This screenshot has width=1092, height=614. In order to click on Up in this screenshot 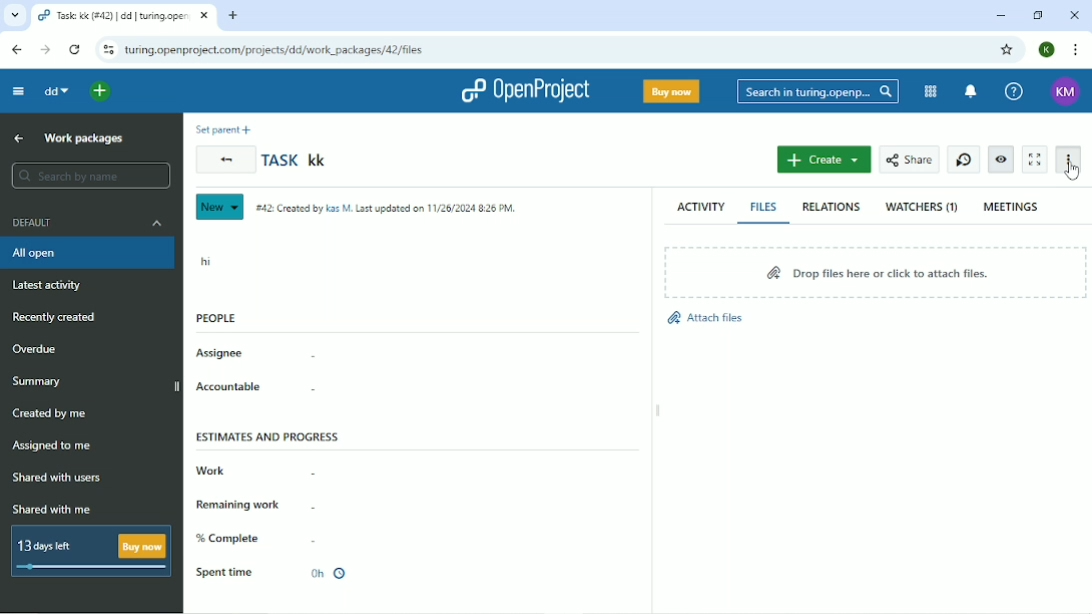, I will do `click(19, 138)`.